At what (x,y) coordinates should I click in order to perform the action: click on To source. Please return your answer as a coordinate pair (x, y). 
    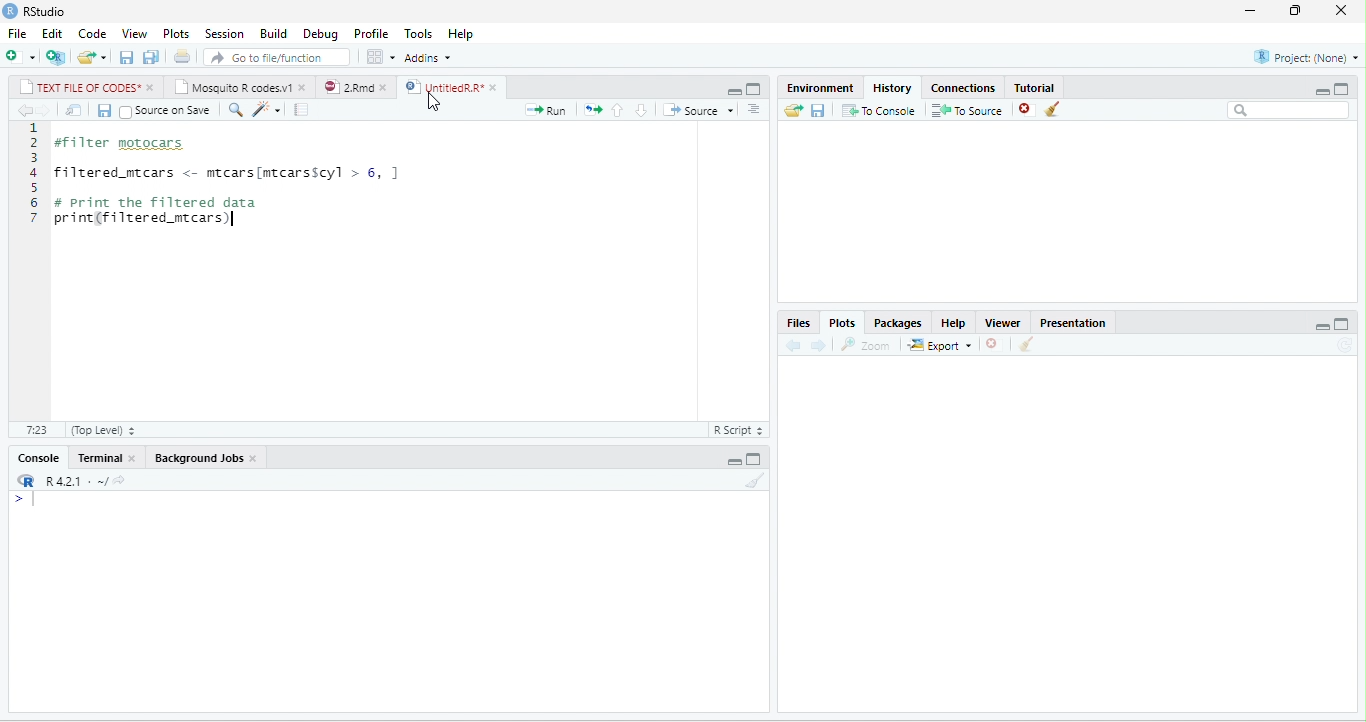
    Looking at the image, I should click on (965, 110).